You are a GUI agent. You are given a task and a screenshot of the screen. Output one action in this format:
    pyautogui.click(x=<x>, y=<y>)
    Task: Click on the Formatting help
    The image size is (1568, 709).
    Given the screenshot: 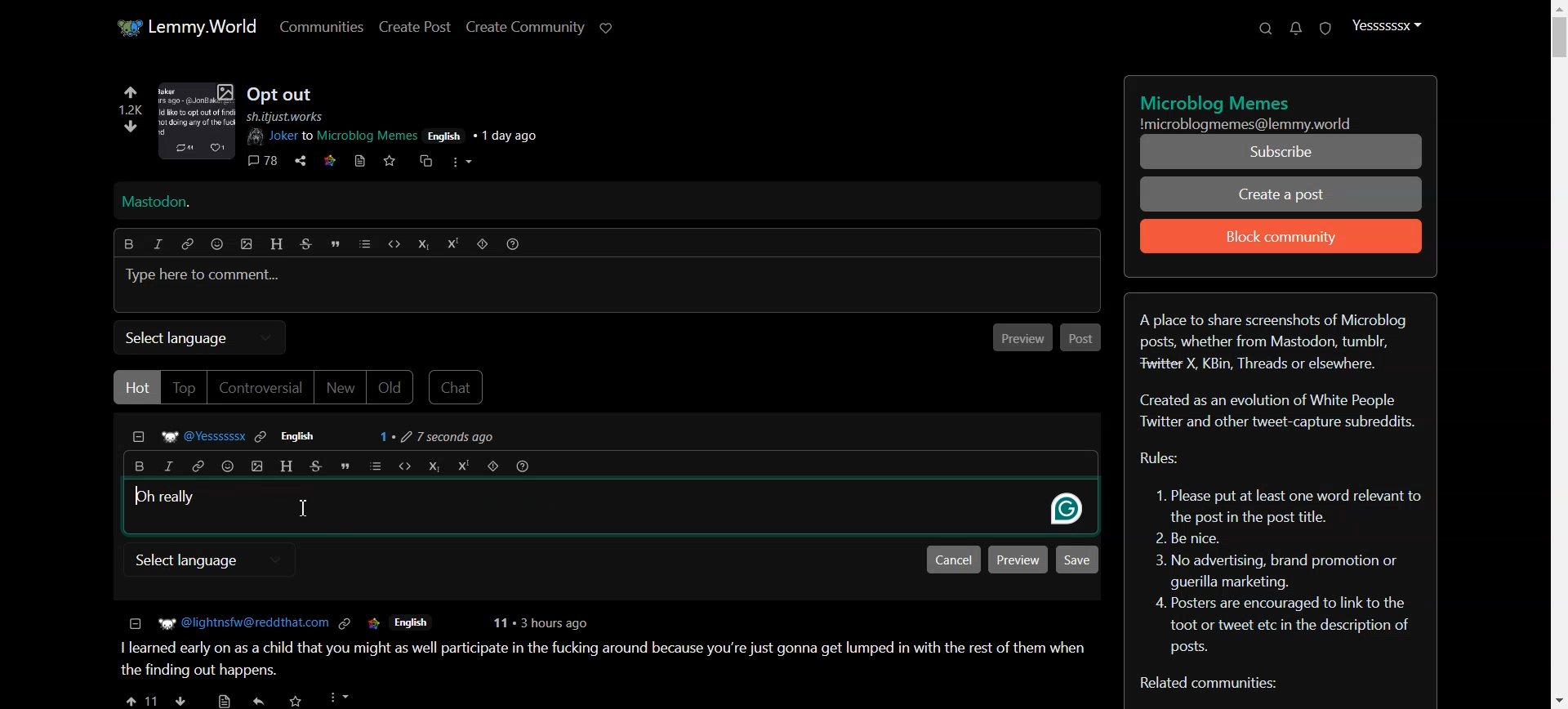 What is the action you would take?
    pyautogui.click(x=523, y=467)
    